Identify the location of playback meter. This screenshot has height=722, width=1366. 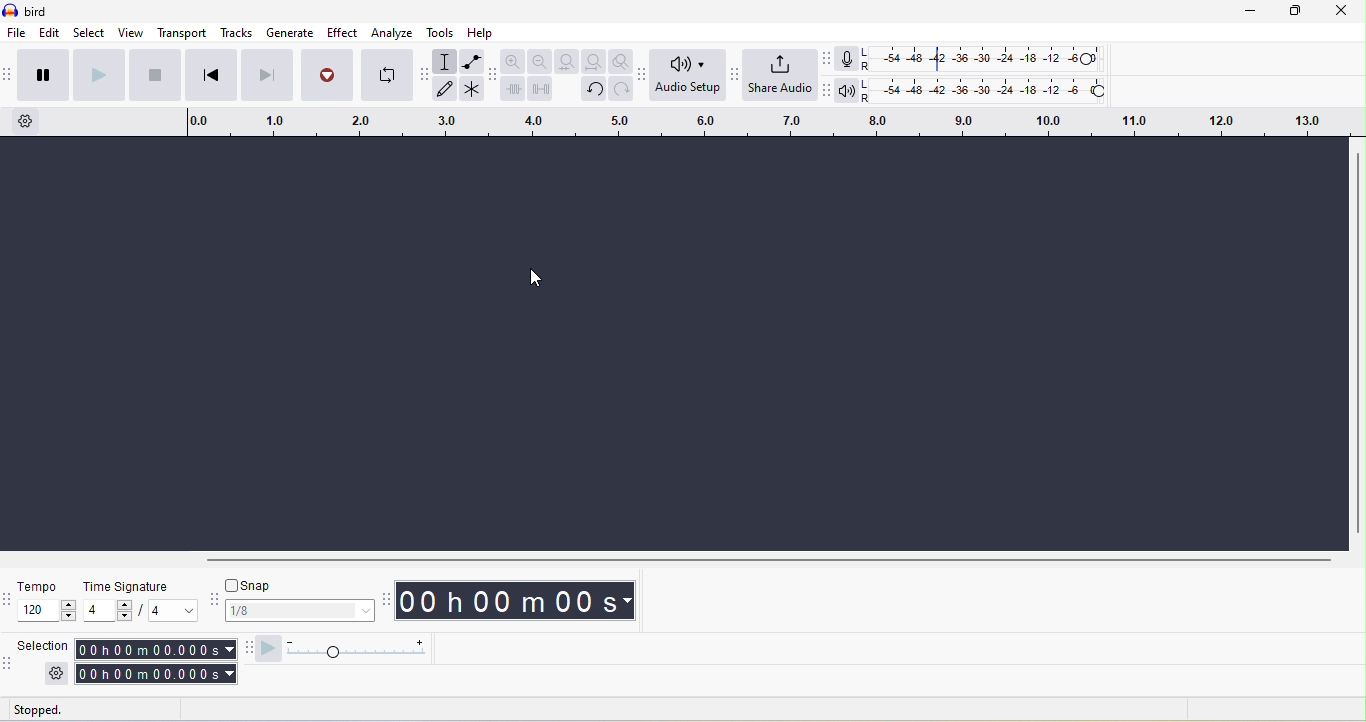
(847, 94).